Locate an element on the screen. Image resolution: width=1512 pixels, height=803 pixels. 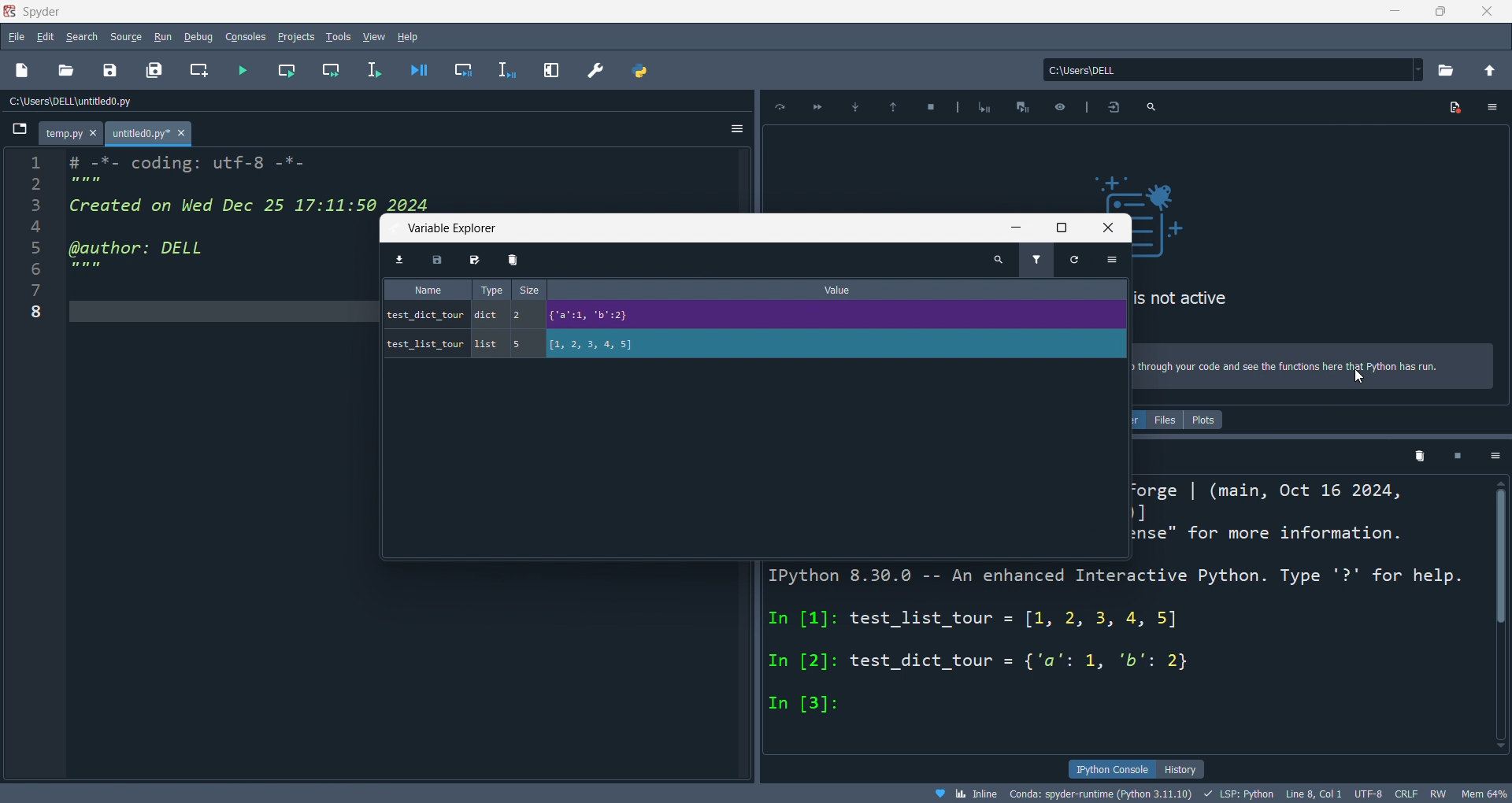
run line is located at coordinates (372, 68).